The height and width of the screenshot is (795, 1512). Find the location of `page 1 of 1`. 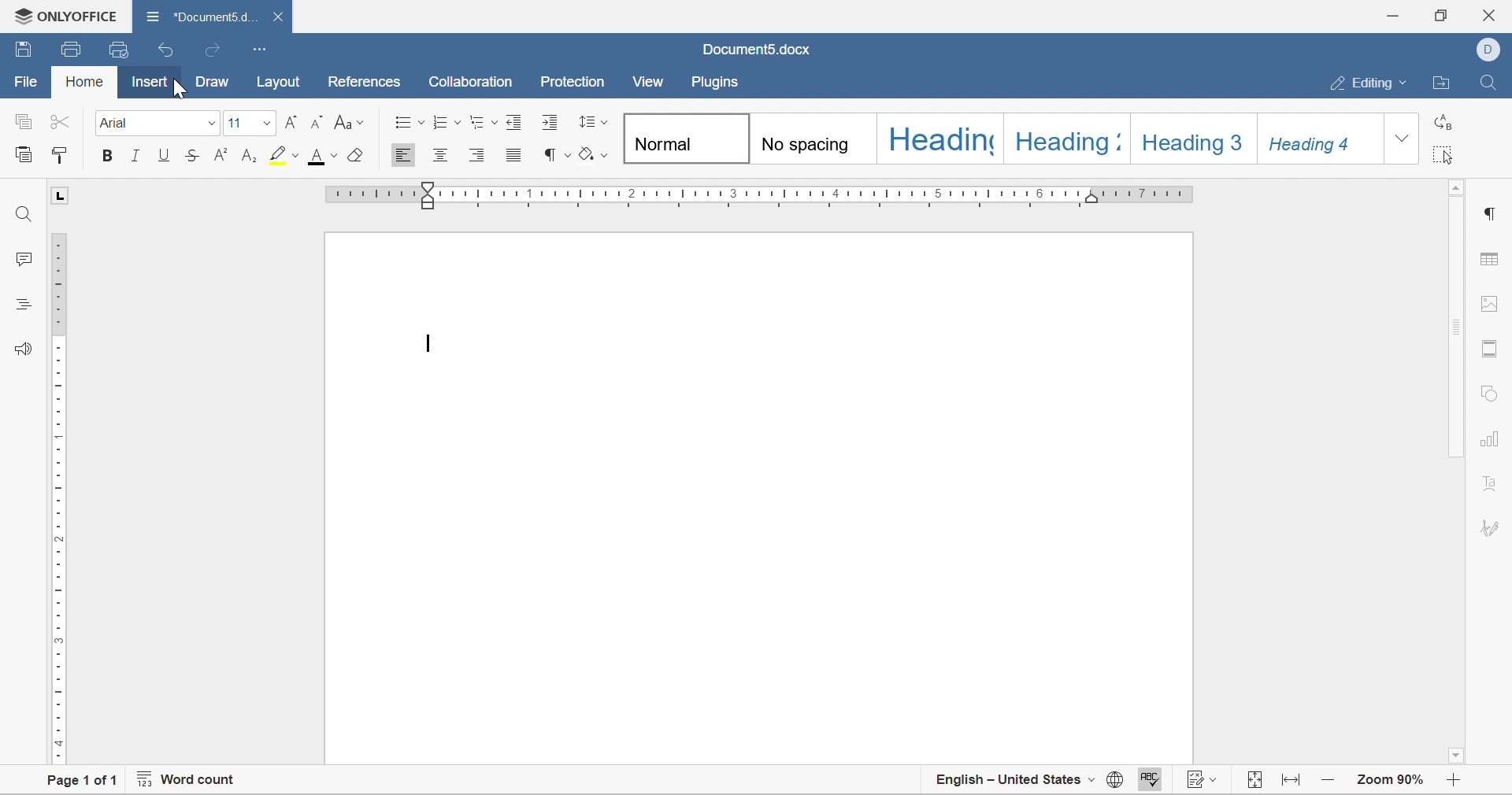

page 1 of 1 is located at coordinates (78, 782).